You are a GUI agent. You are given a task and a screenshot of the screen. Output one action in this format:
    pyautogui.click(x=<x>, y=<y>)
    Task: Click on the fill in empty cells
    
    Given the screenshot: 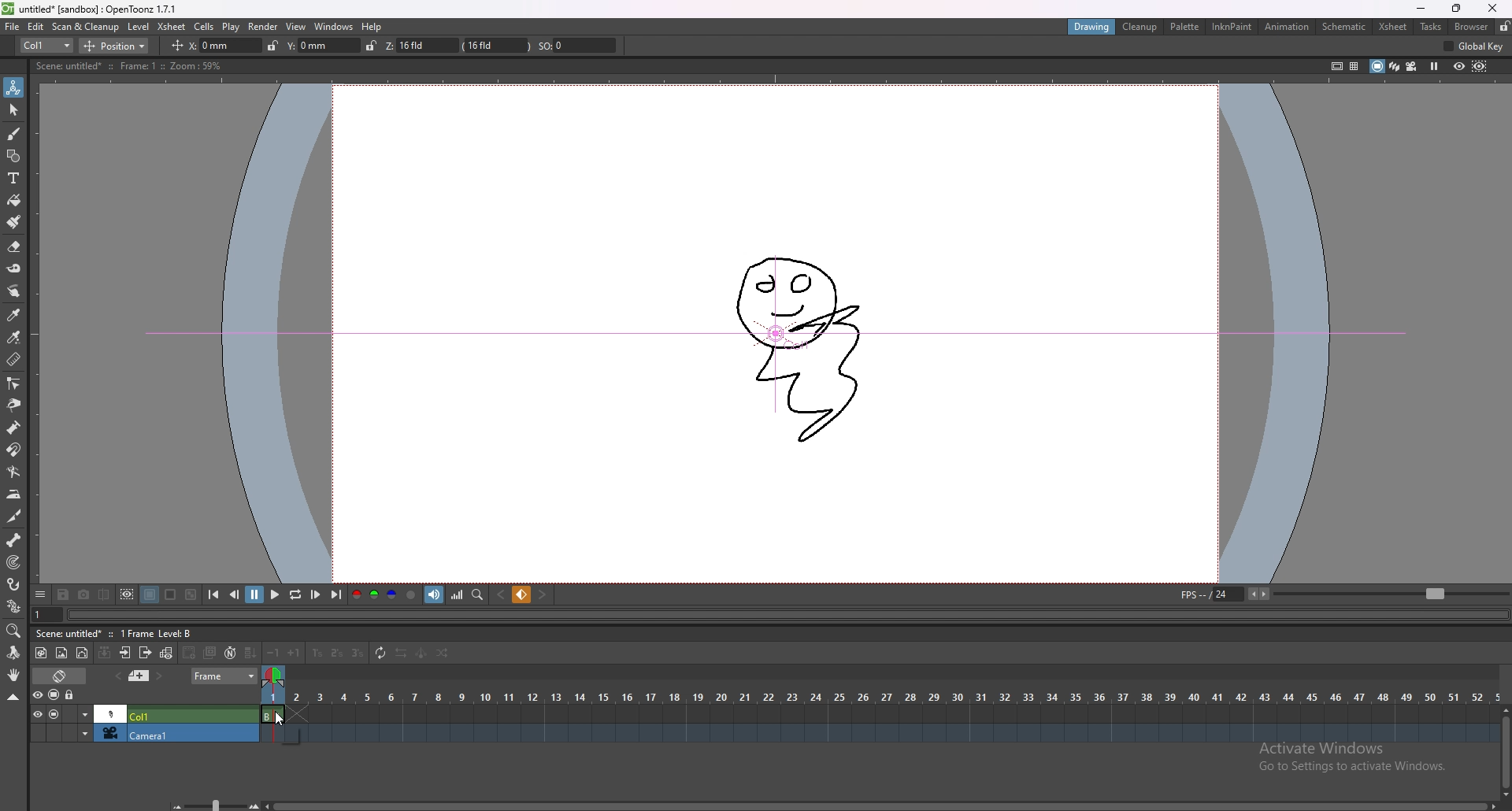 What is the action you would take?
    pyautogui.click(x=253, y=654)
    